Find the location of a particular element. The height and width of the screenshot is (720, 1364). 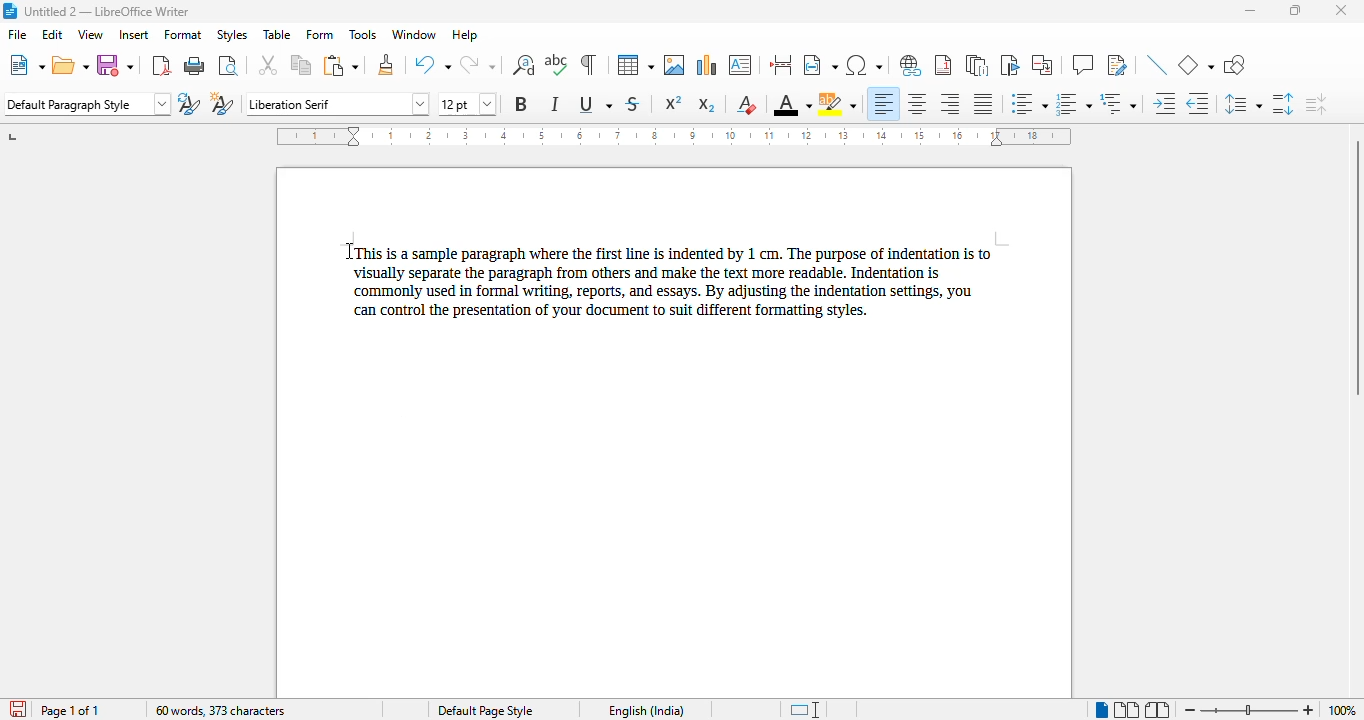

show draw functions is located at coordinates (1234, 65).